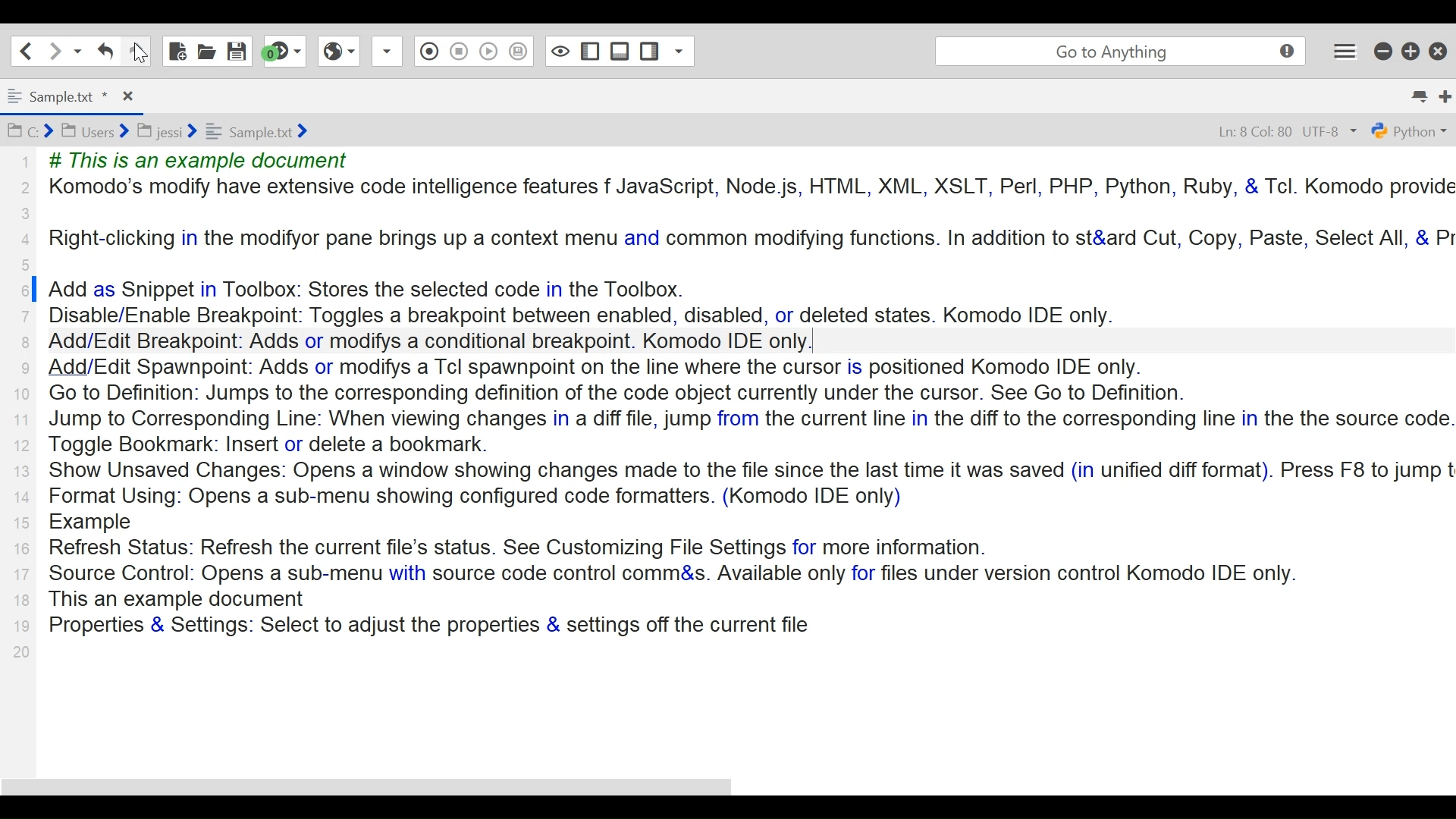 The width and height of the screenshot is (1456, 819). I want to click on Go back one file location, so click(27, 50).